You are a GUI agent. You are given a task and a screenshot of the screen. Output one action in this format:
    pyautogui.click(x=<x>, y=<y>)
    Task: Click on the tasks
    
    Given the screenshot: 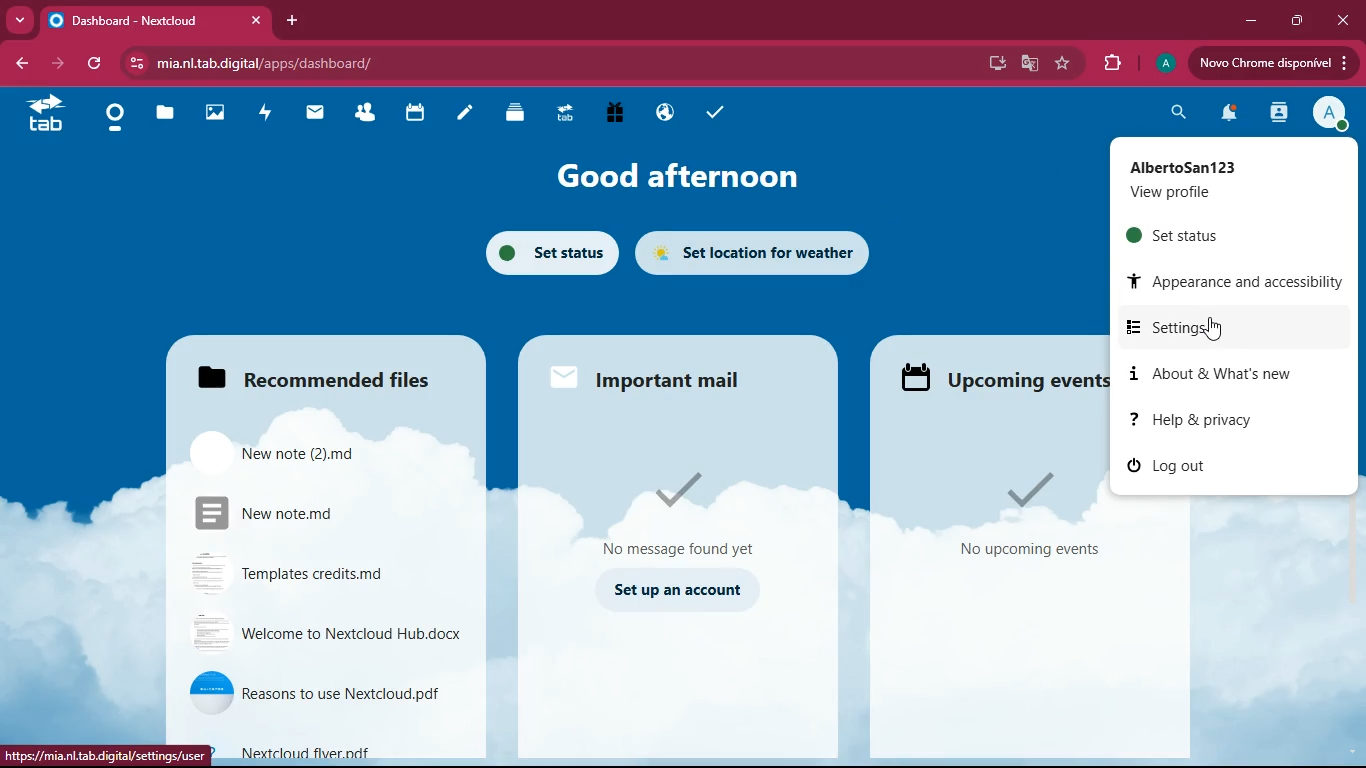 What is the action you would take?
    pyautogui.click(x=710, y=112)
    